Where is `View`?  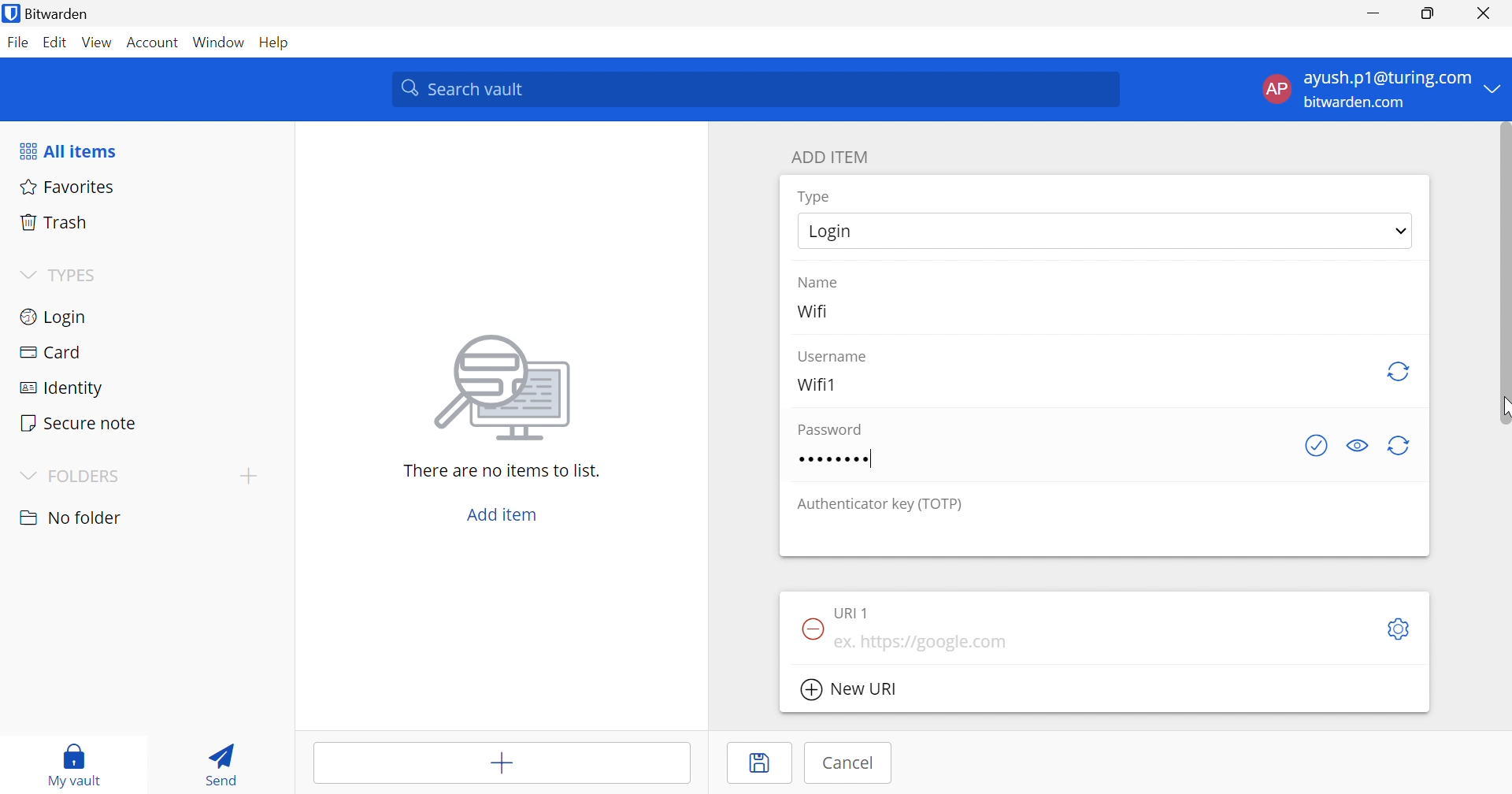
View is located at coordinates (96, 42).